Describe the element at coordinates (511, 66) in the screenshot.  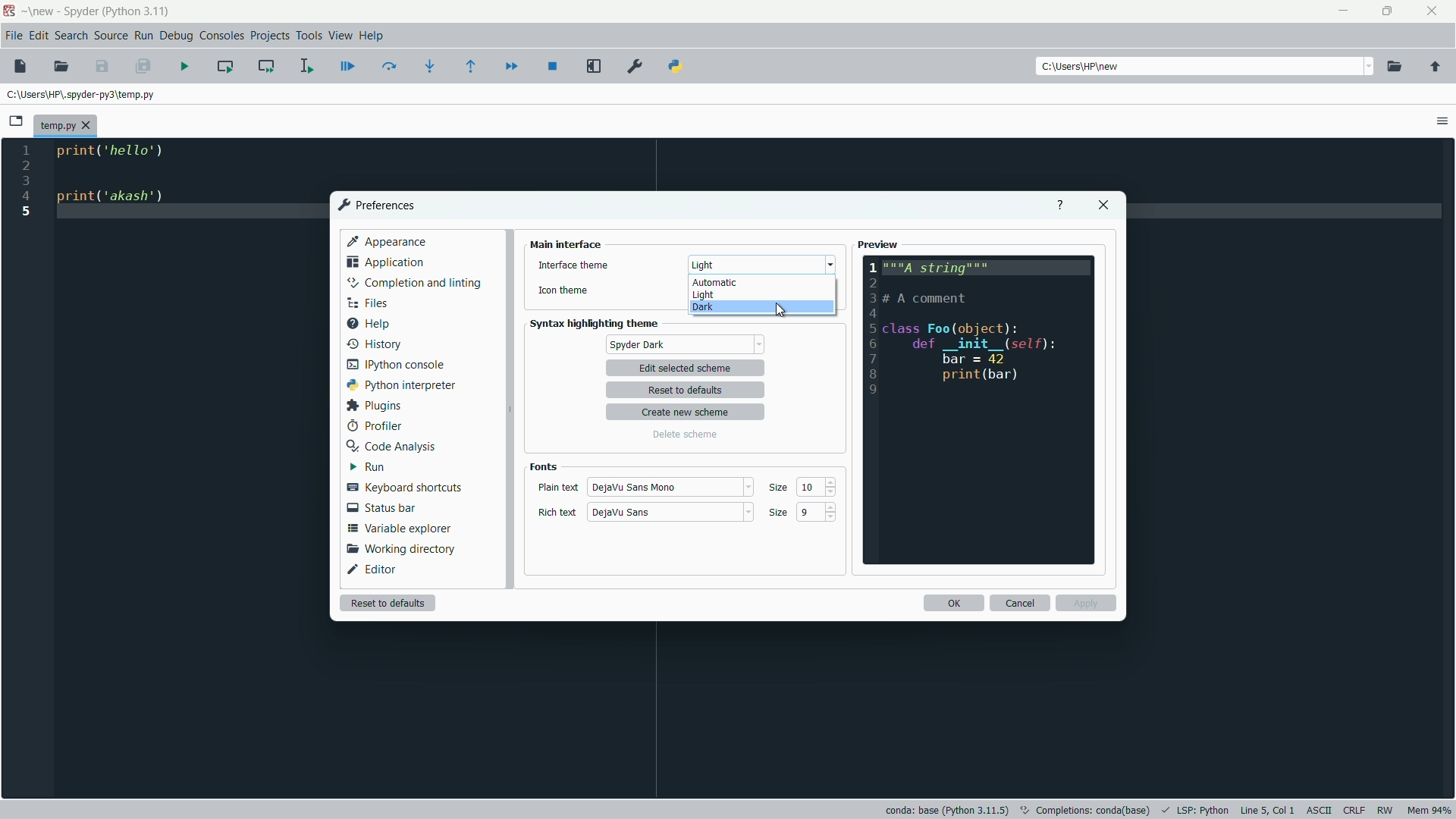
I see `continue execution until next breakdown` at that location.